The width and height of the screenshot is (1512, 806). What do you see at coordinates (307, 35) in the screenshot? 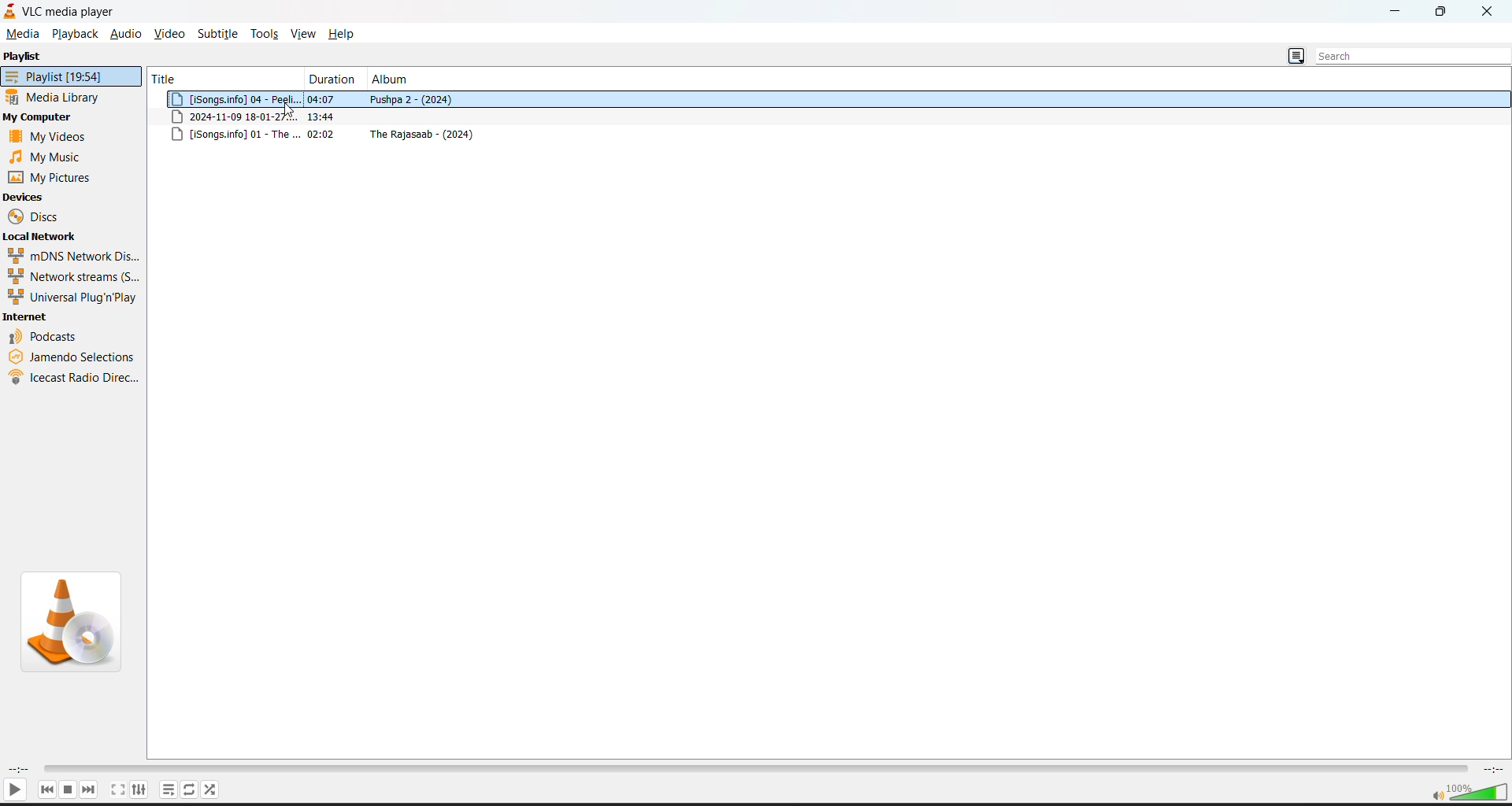
I see `view` at bounding box center [307, 35].